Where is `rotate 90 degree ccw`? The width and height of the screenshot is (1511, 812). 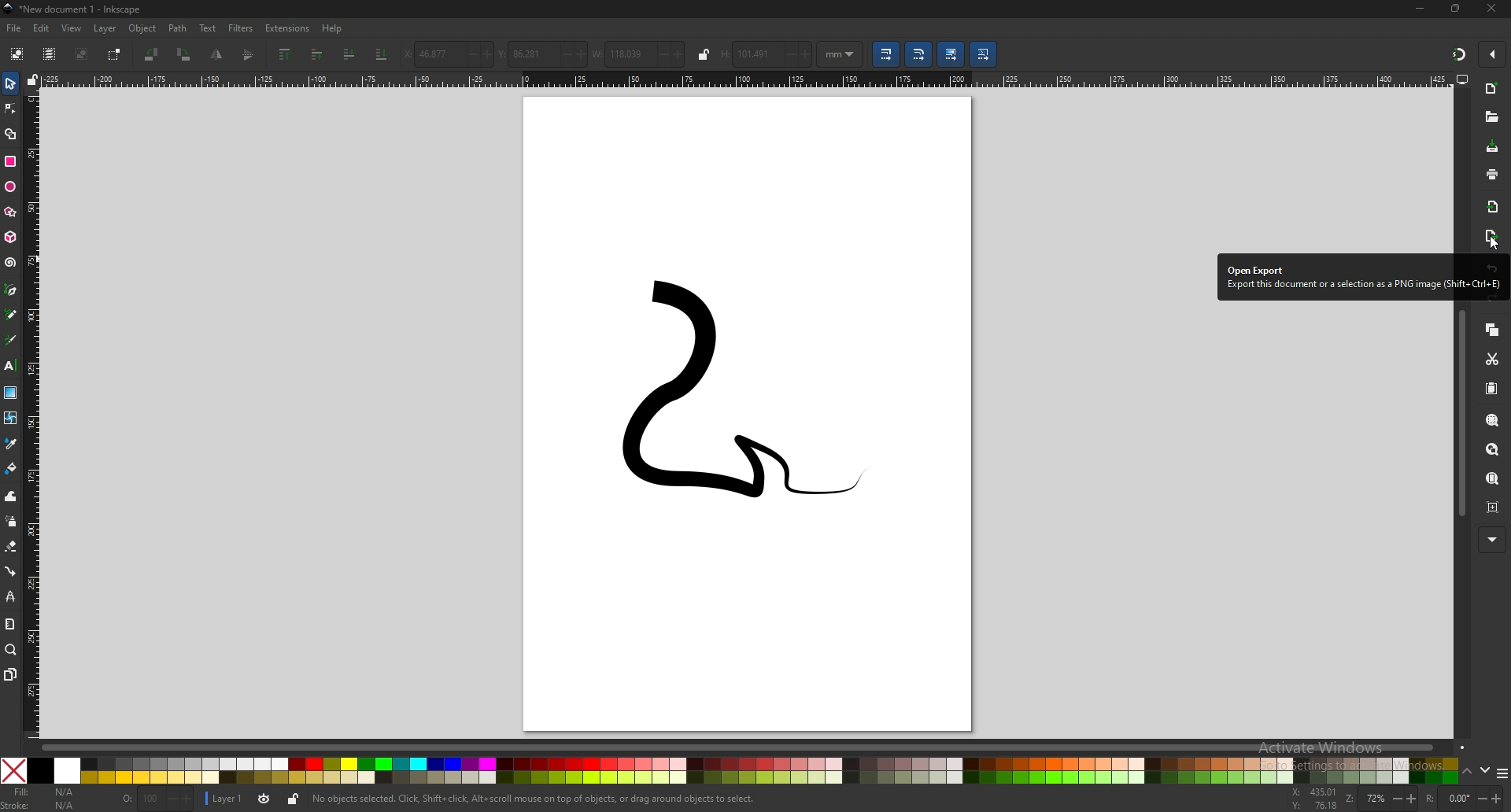
rotate 90 degree ccw is located at coordinates (152, 54).